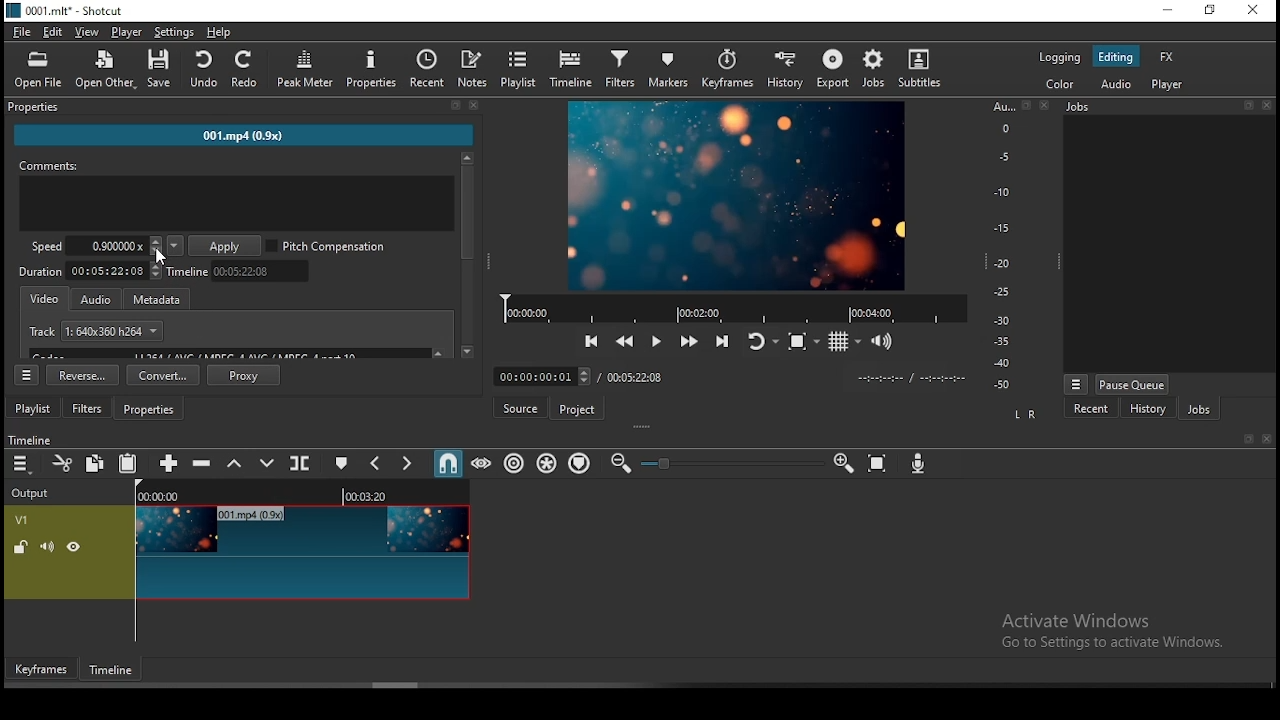 The width and height of the screenshot is (1280, 720). I want to click on (un)locked, so click(22, 548).